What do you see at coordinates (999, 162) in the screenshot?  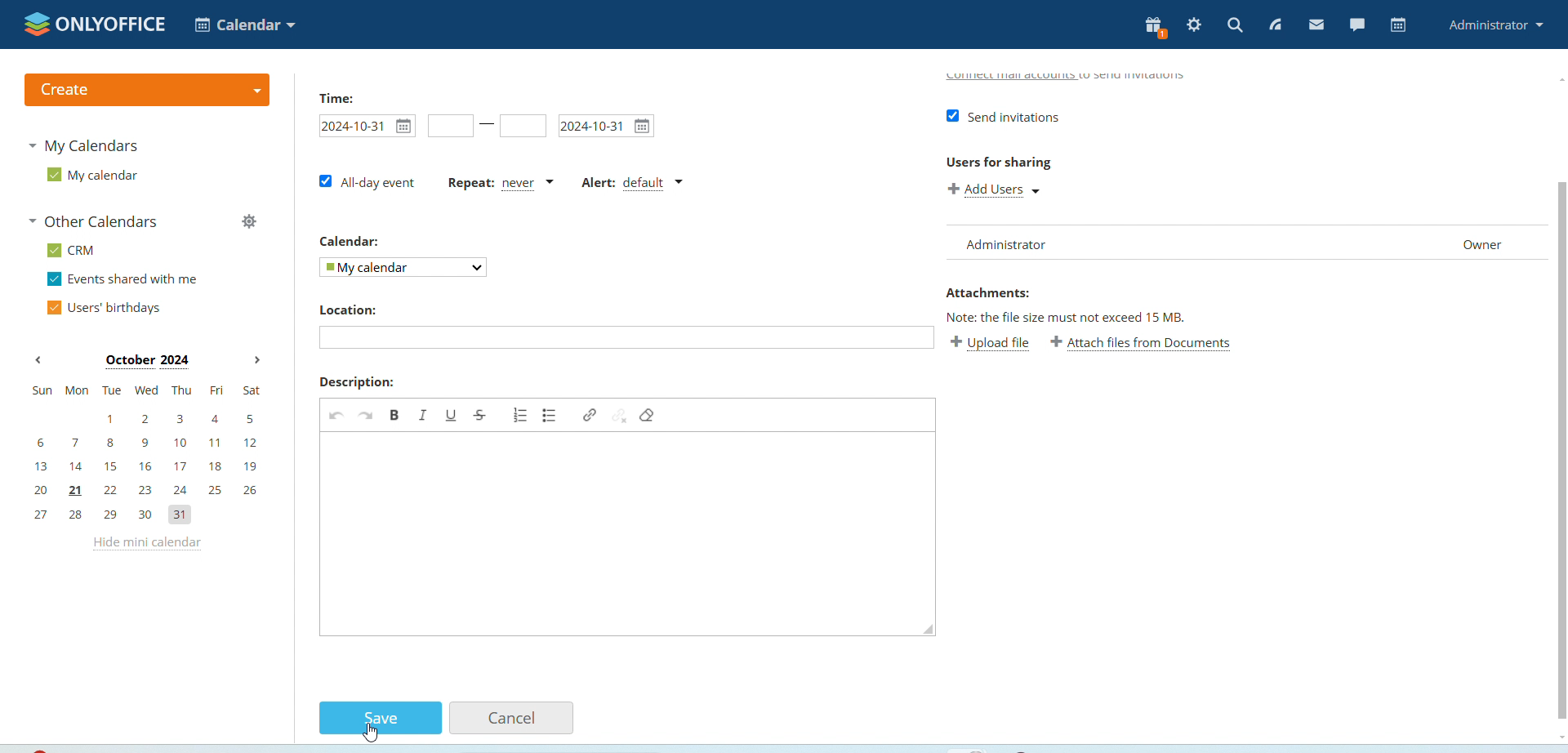 I see `Users for sharing` at bounding box center [999, 162].